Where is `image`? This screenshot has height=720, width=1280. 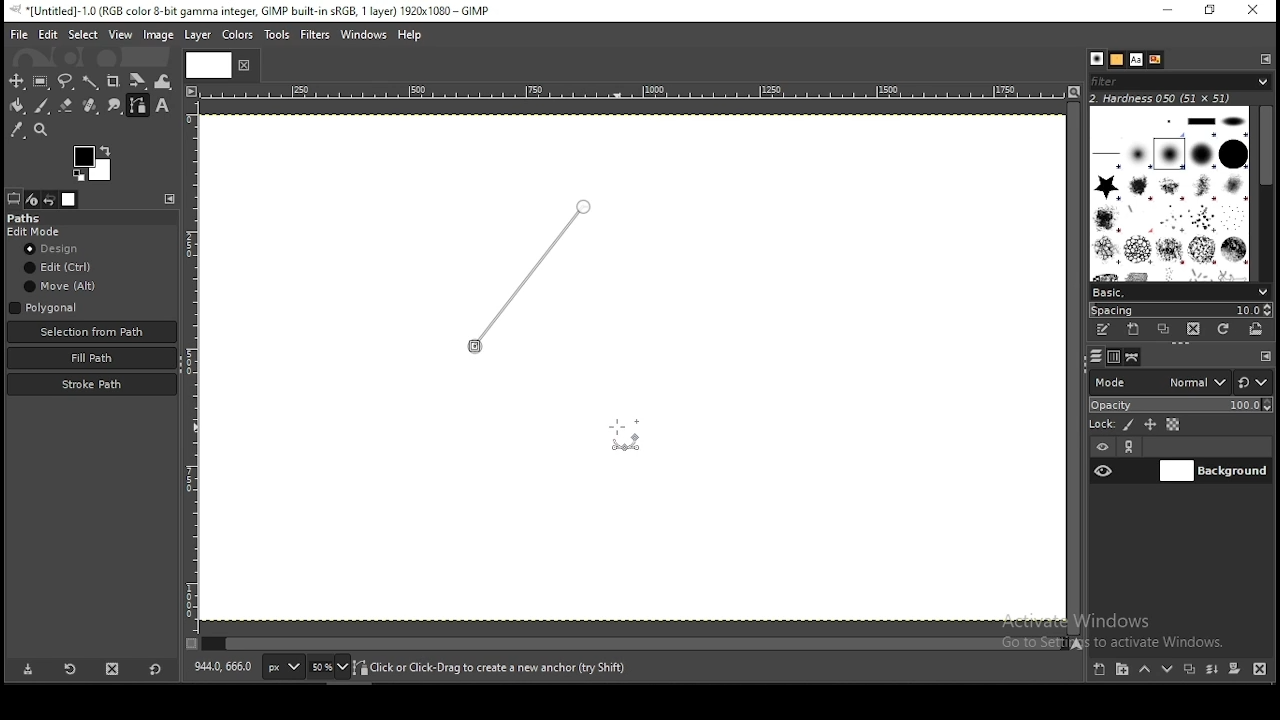
image is located at coordinates (160, 36).